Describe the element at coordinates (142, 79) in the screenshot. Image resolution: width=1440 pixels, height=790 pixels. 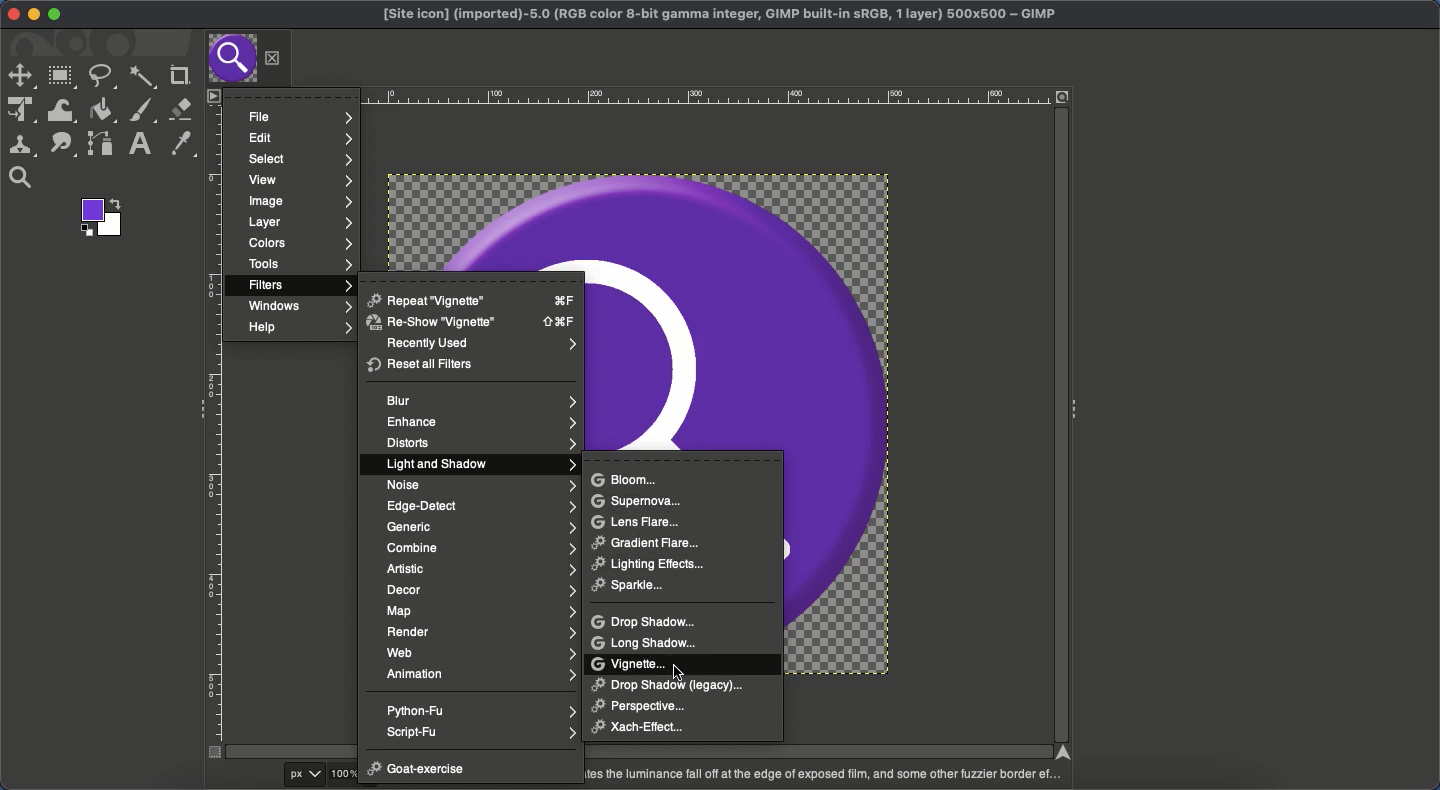
I see `Fuzzy selector` at that location.